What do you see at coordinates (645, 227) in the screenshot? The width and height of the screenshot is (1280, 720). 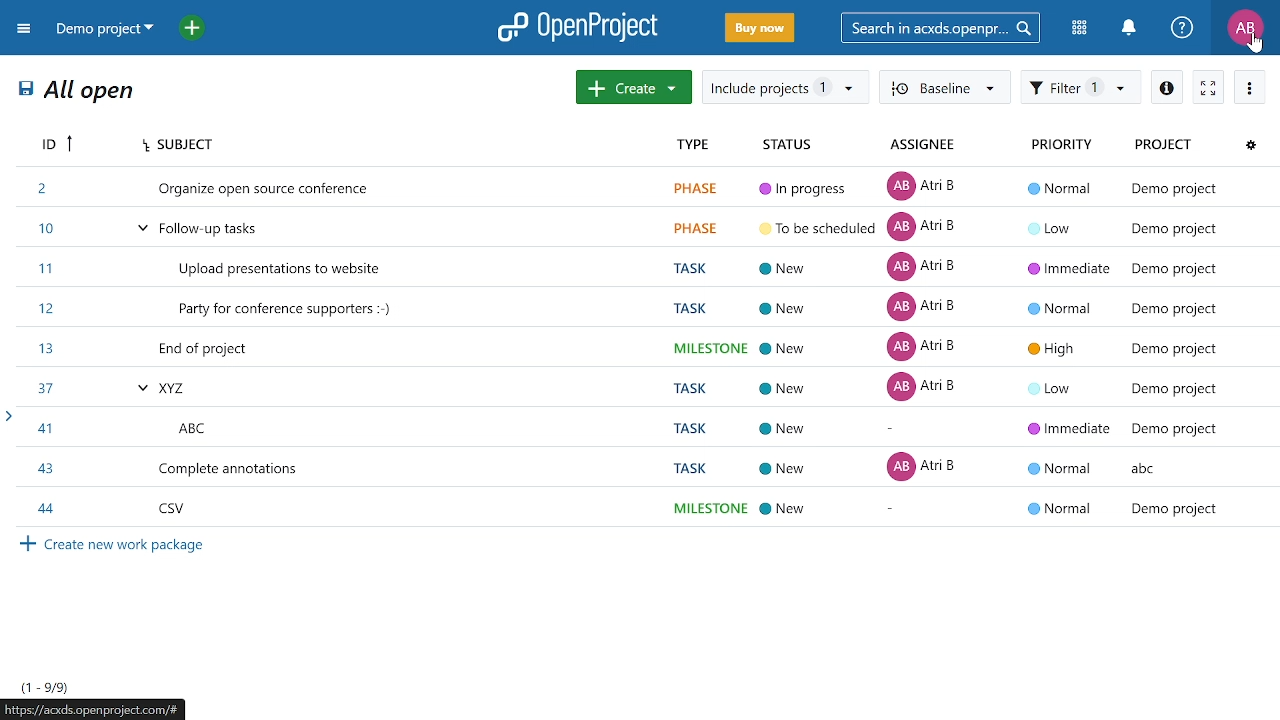 I see `task titled "Follow up tasks"` at bounding box center [645, 227].